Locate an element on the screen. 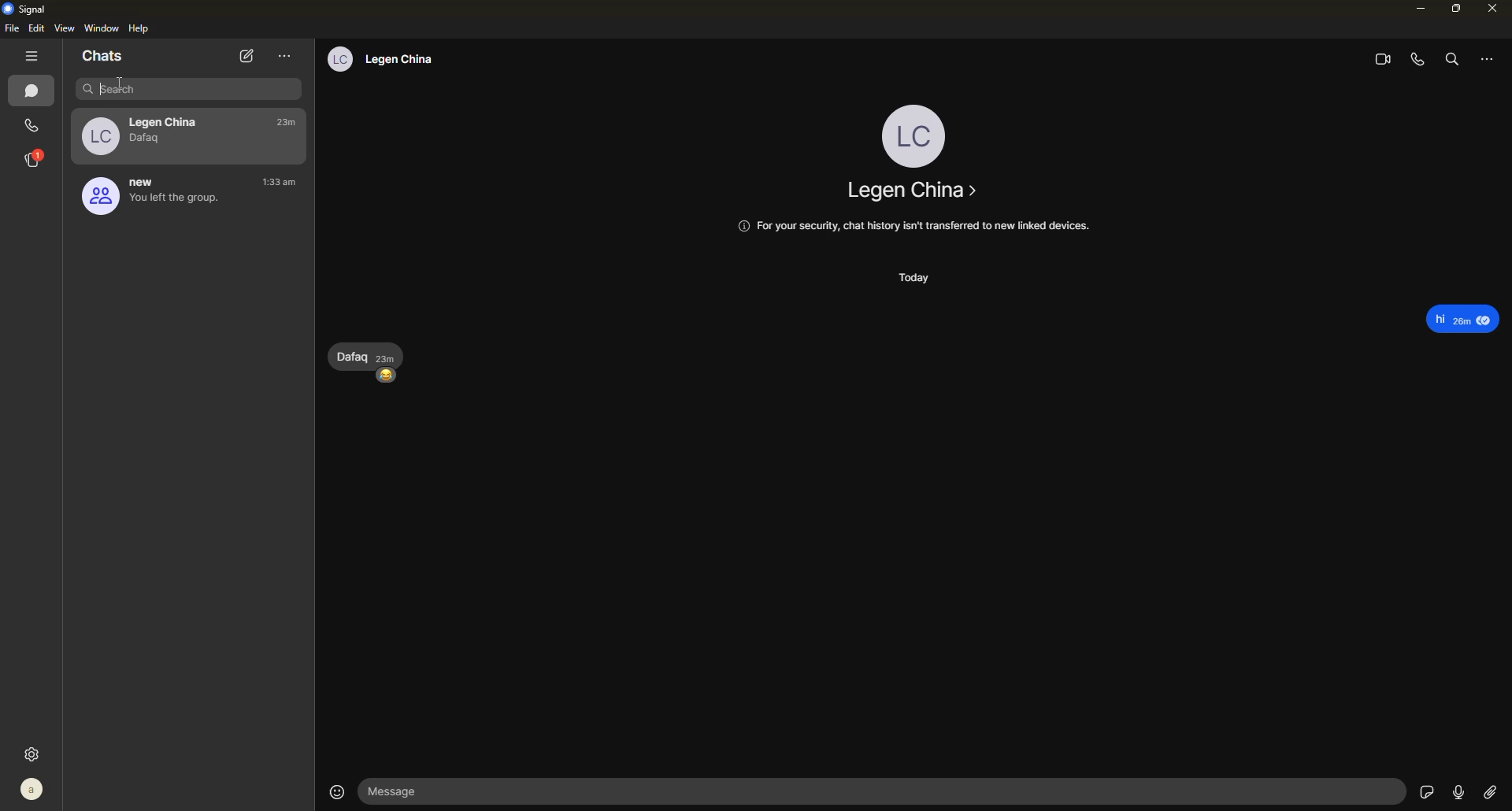  typing is located at coordinates (192, 90).